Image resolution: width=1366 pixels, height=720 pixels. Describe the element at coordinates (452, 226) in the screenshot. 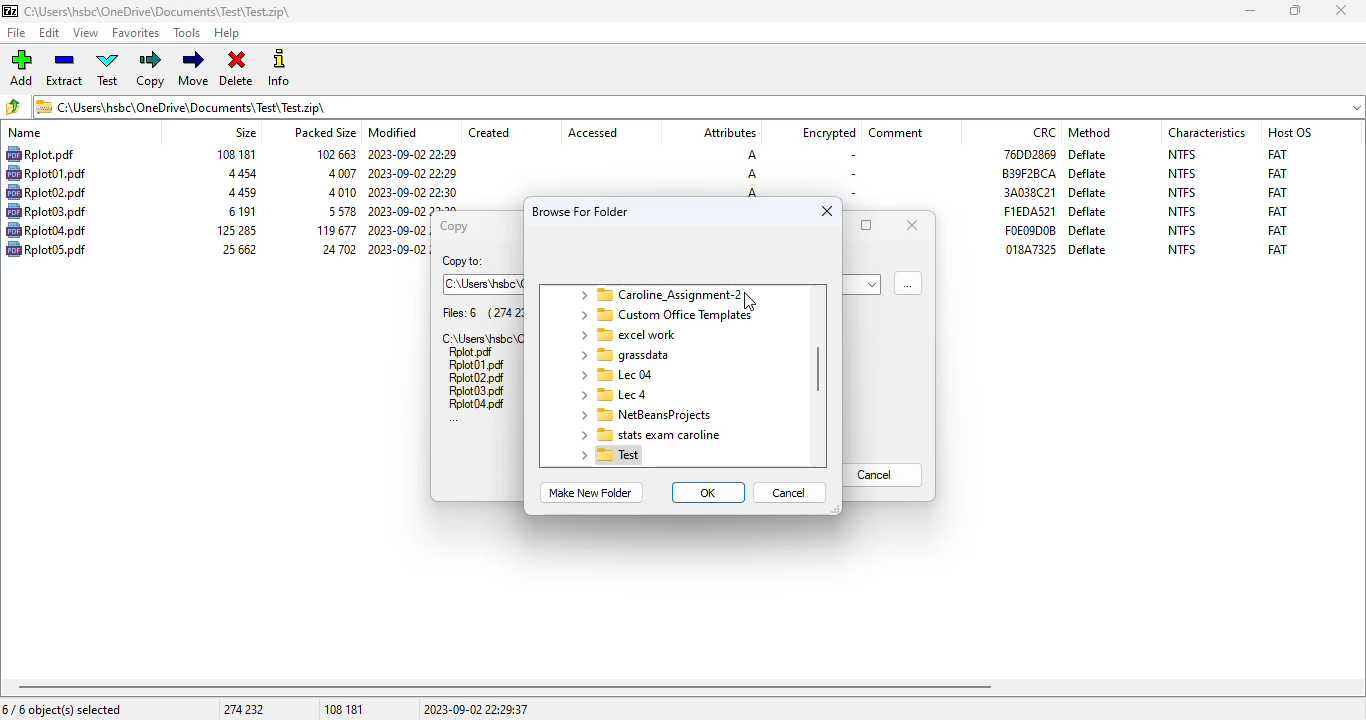

I see `copy` at that location.